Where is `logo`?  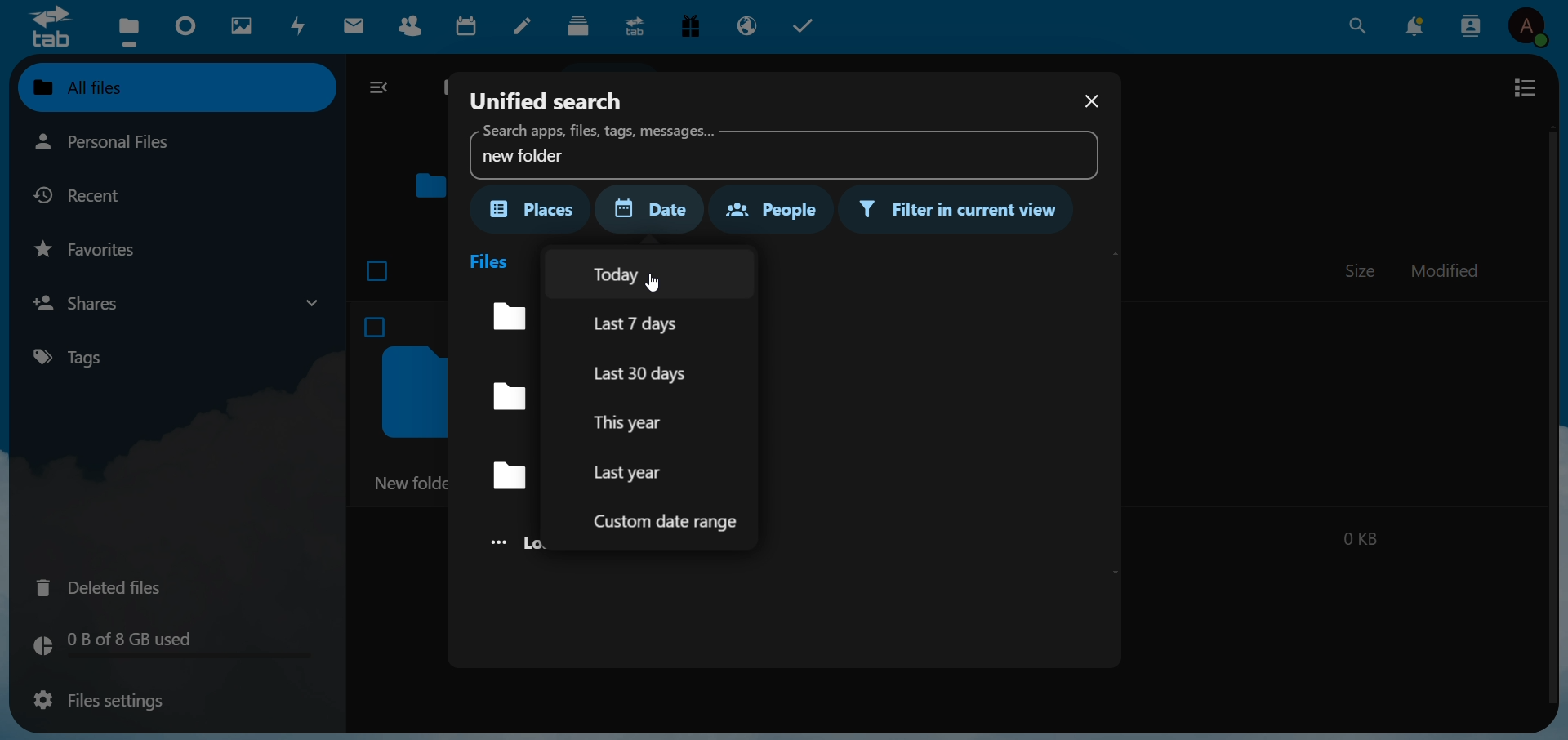
logo is located at coordinates (49, 26).